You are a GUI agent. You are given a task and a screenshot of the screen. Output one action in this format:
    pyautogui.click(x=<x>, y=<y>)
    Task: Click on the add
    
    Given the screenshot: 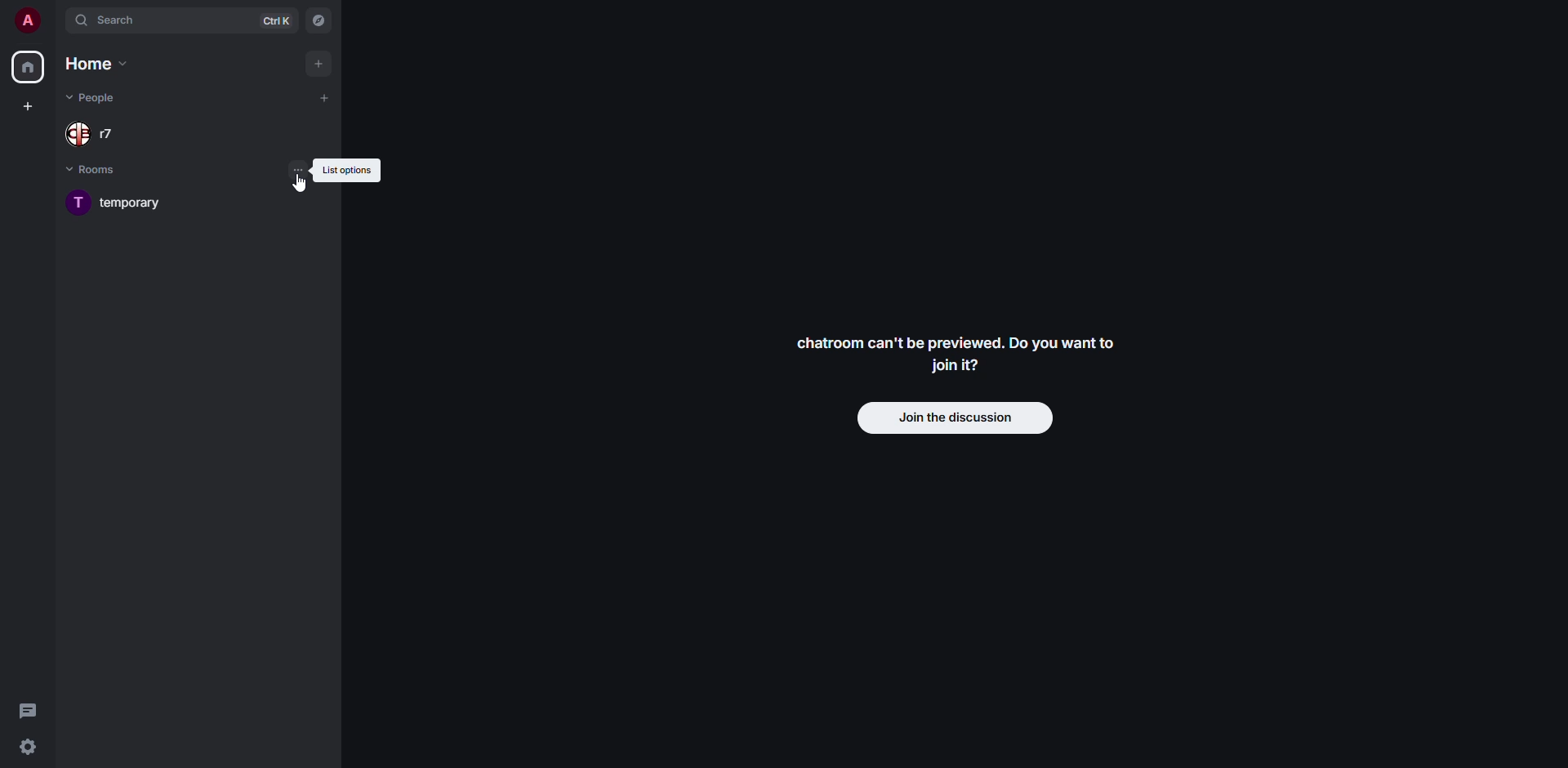 What is the action you would take?
    pyautogui.click(x=324, y=96)
    